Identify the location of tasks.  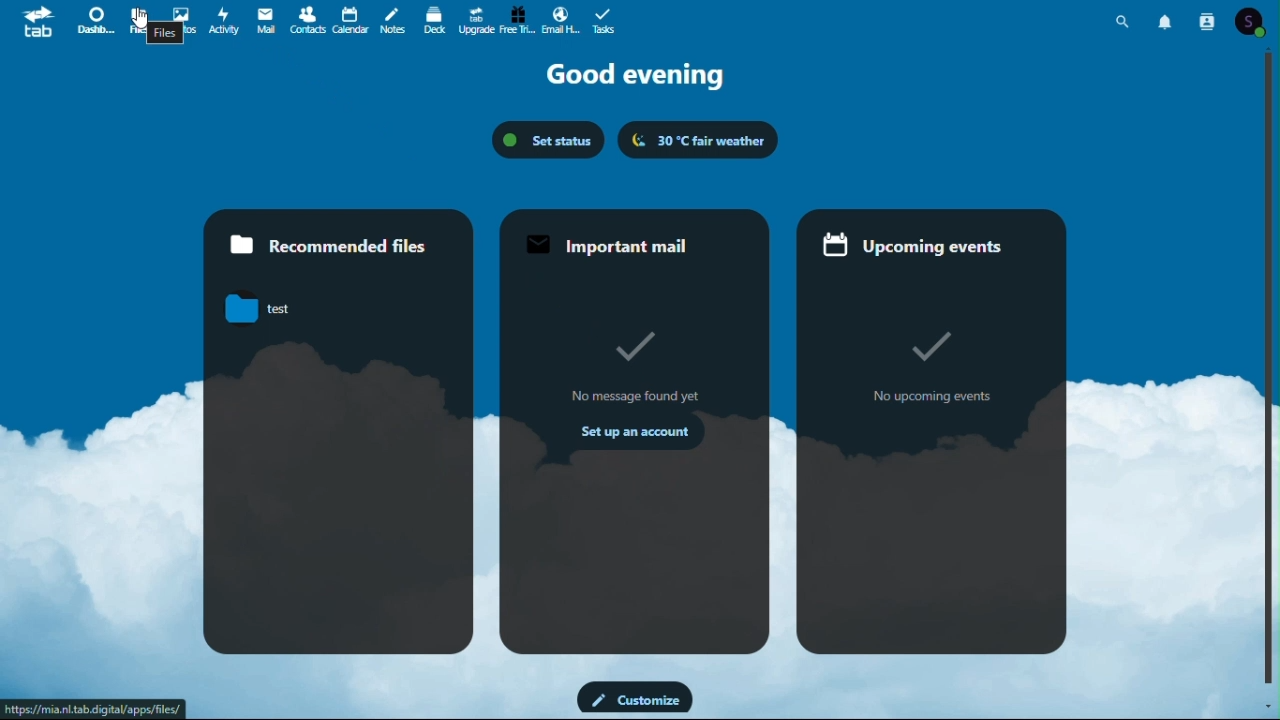
(604, 21).